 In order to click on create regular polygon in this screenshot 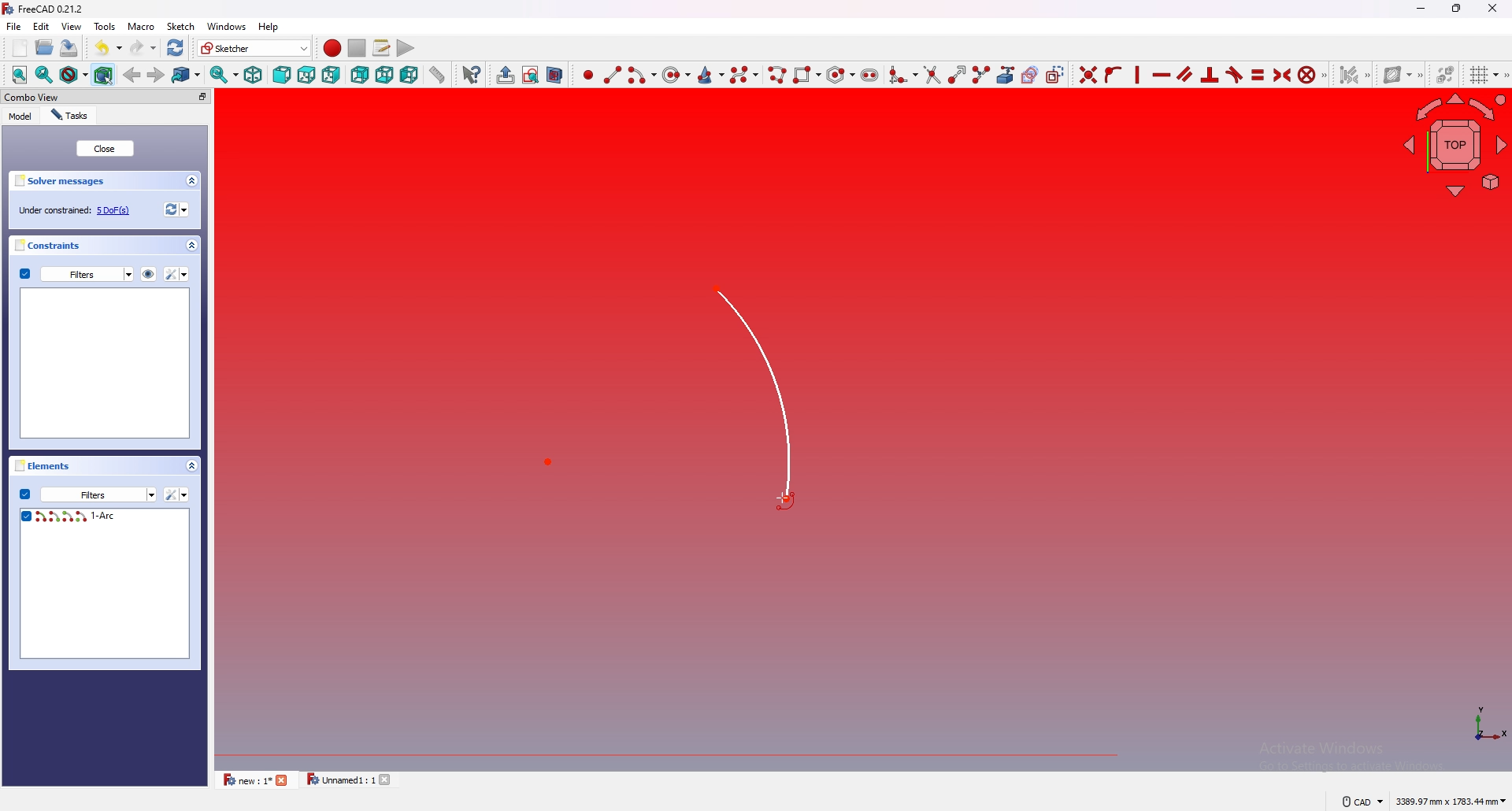, I will do `click(840, 75)`.